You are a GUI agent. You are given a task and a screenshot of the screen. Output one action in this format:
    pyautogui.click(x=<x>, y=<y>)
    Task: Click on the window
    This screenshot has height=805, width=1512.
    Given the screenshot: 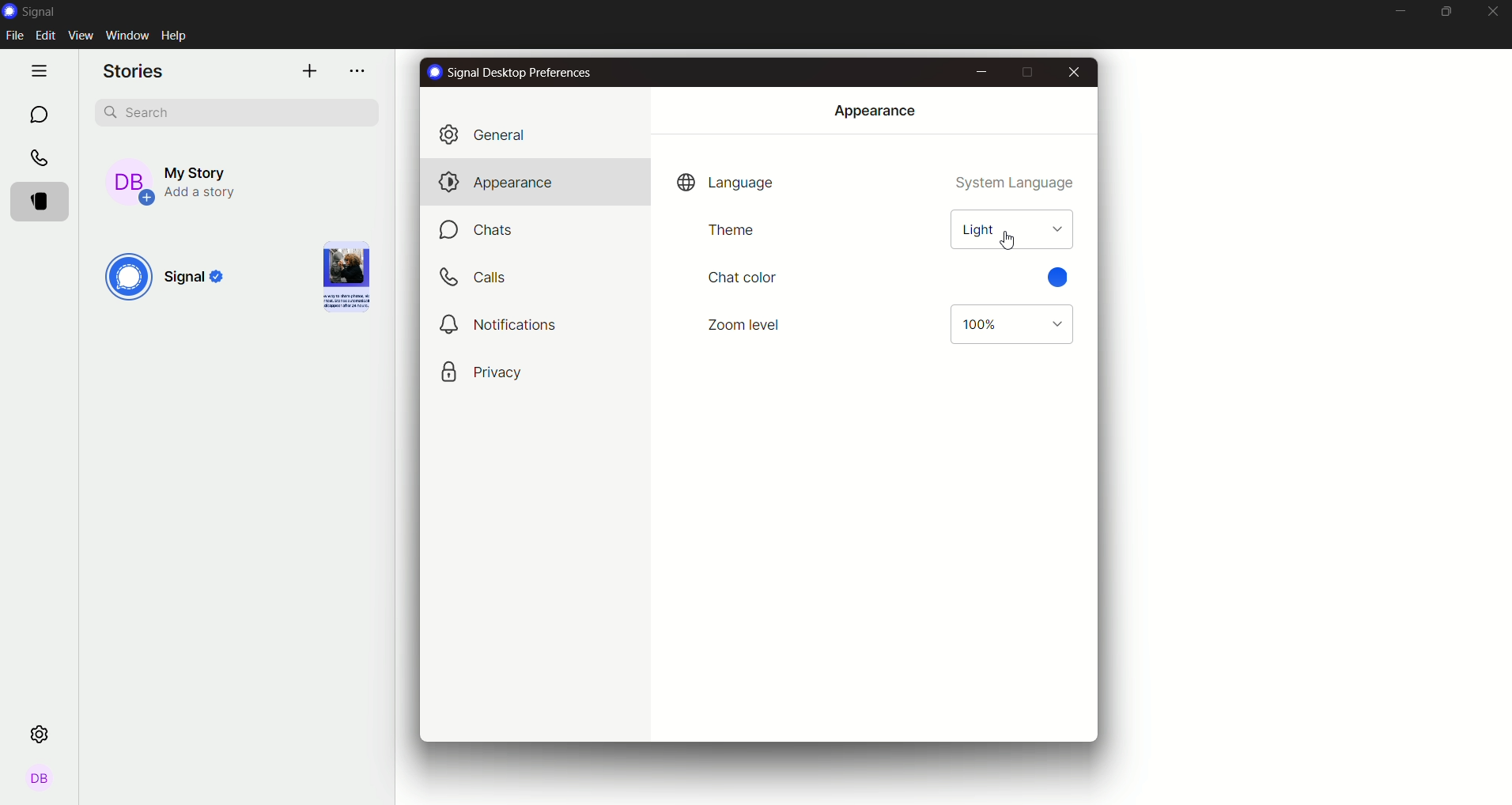 What is the action you would take?
    pyautogui.click(x=127, y=34)
    